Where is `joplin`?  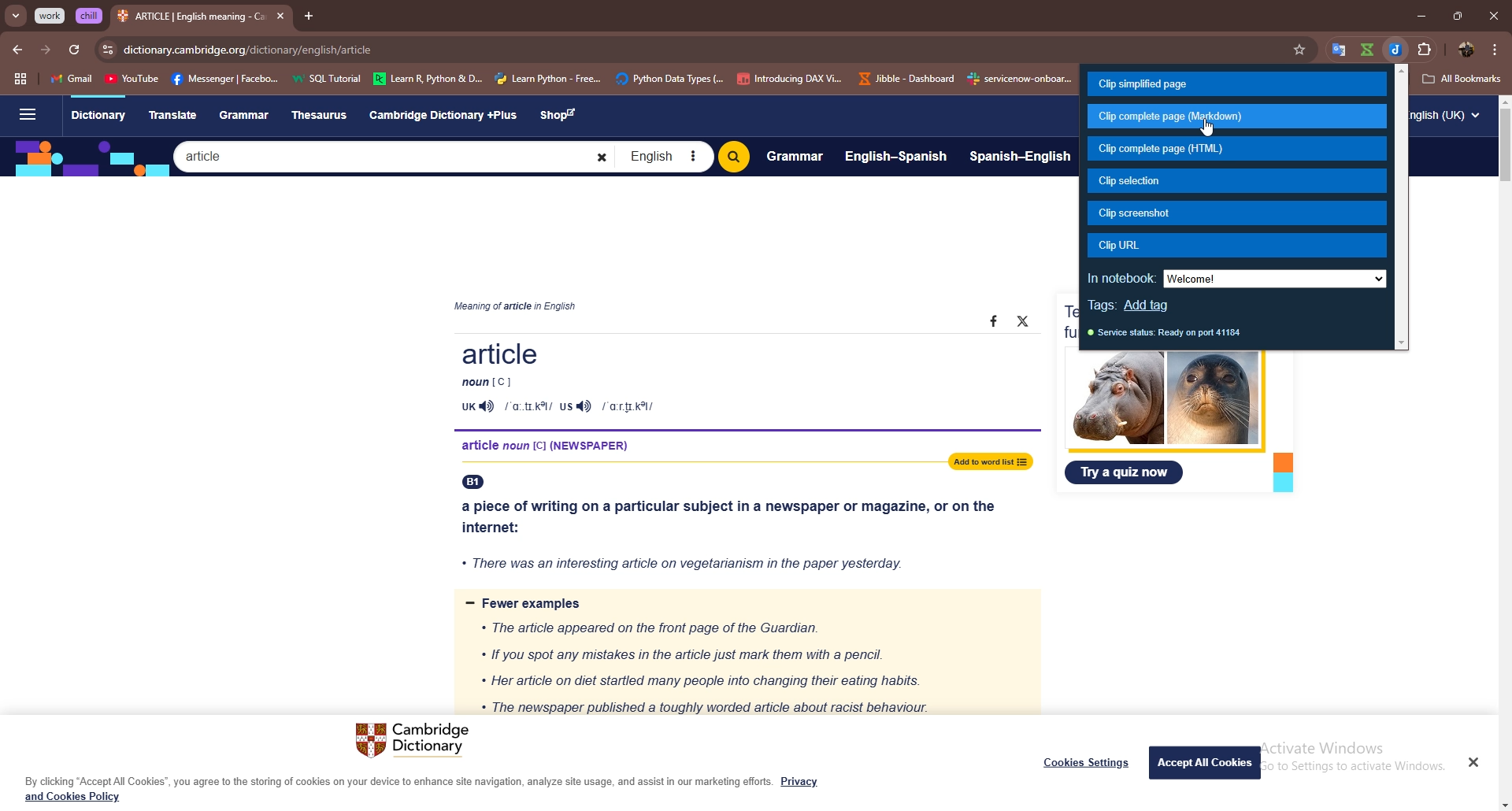 joplin is located at coordinates (1397, 48).